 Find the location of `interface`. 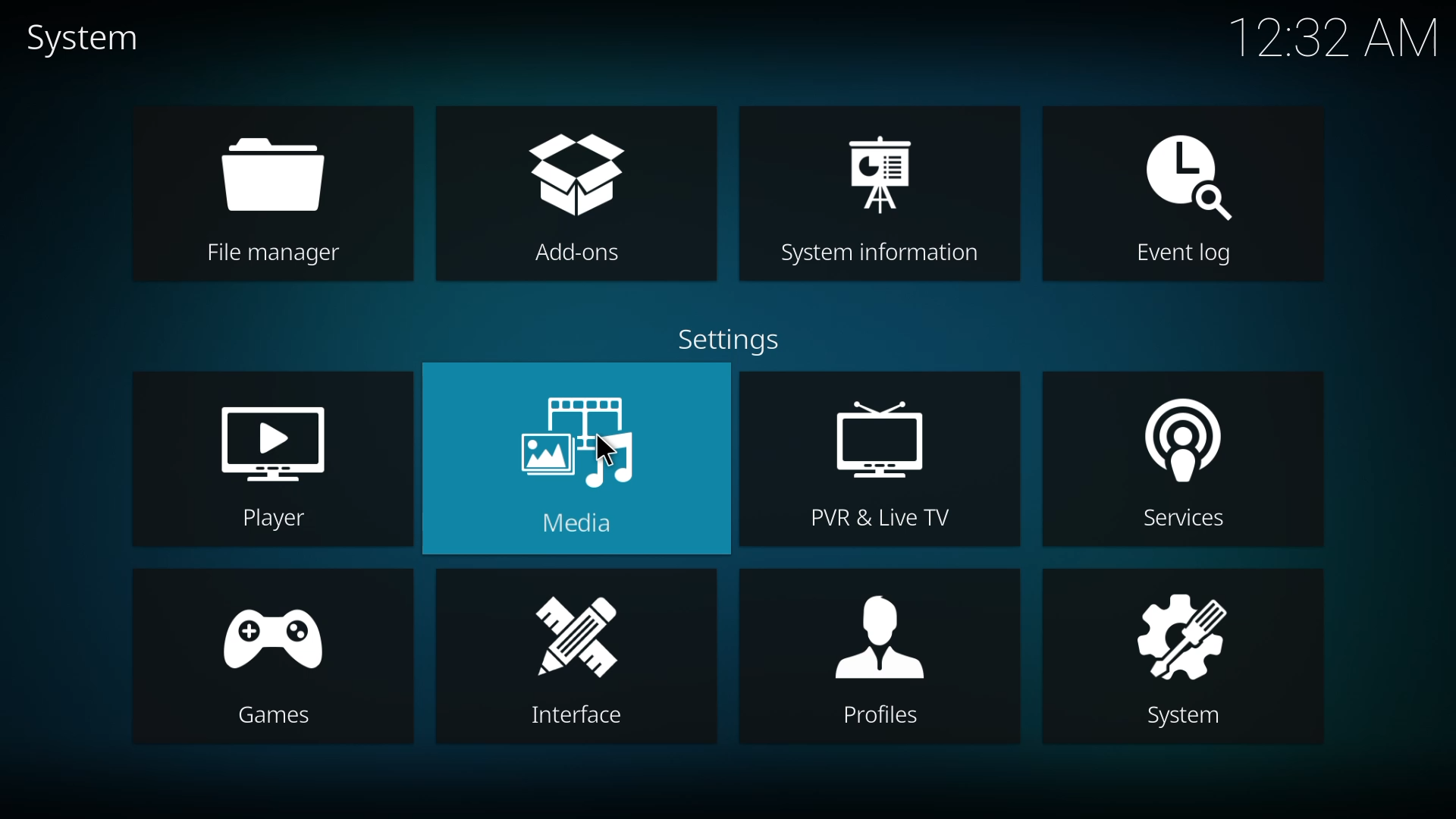

interface is located at coordinates (585, 661).